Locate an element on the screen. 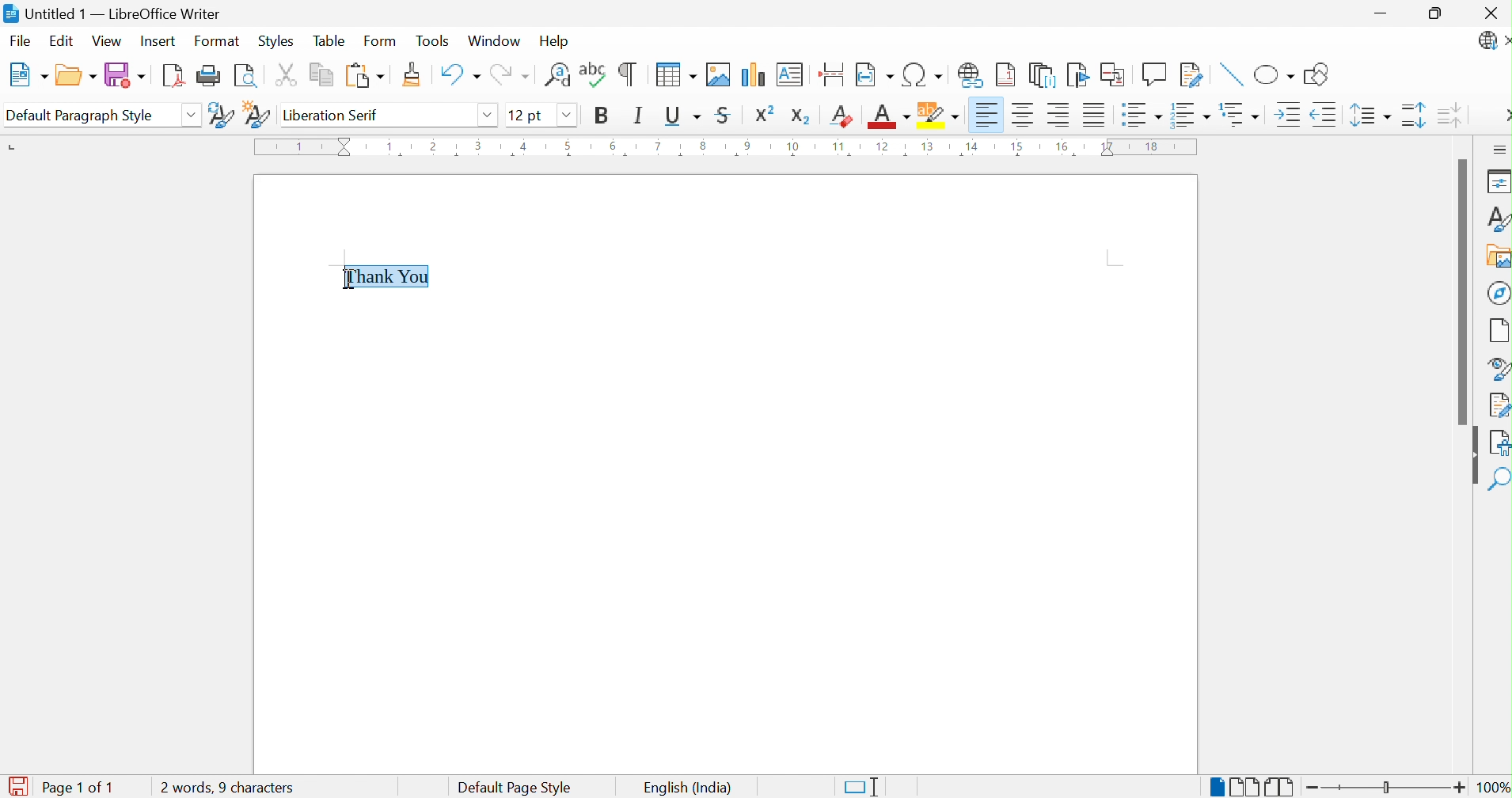 Image resolution: width=1512 pixels, height=798 pixels. Gallery is located at coordinates (1495, 255).